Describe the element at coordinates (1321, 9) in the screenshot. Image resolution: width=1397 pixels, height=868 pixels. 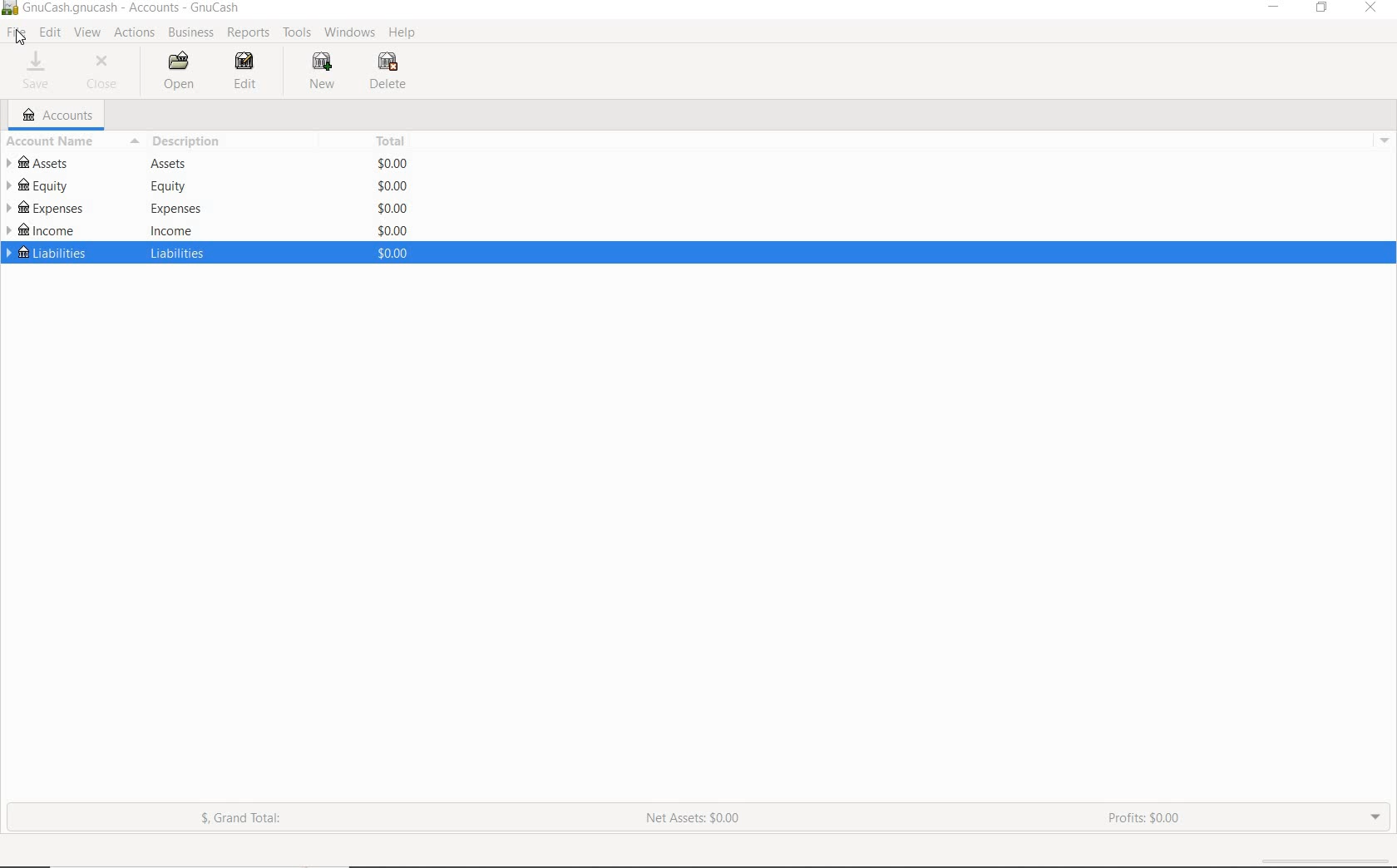
I see `RESTORE DOWN` at that location.